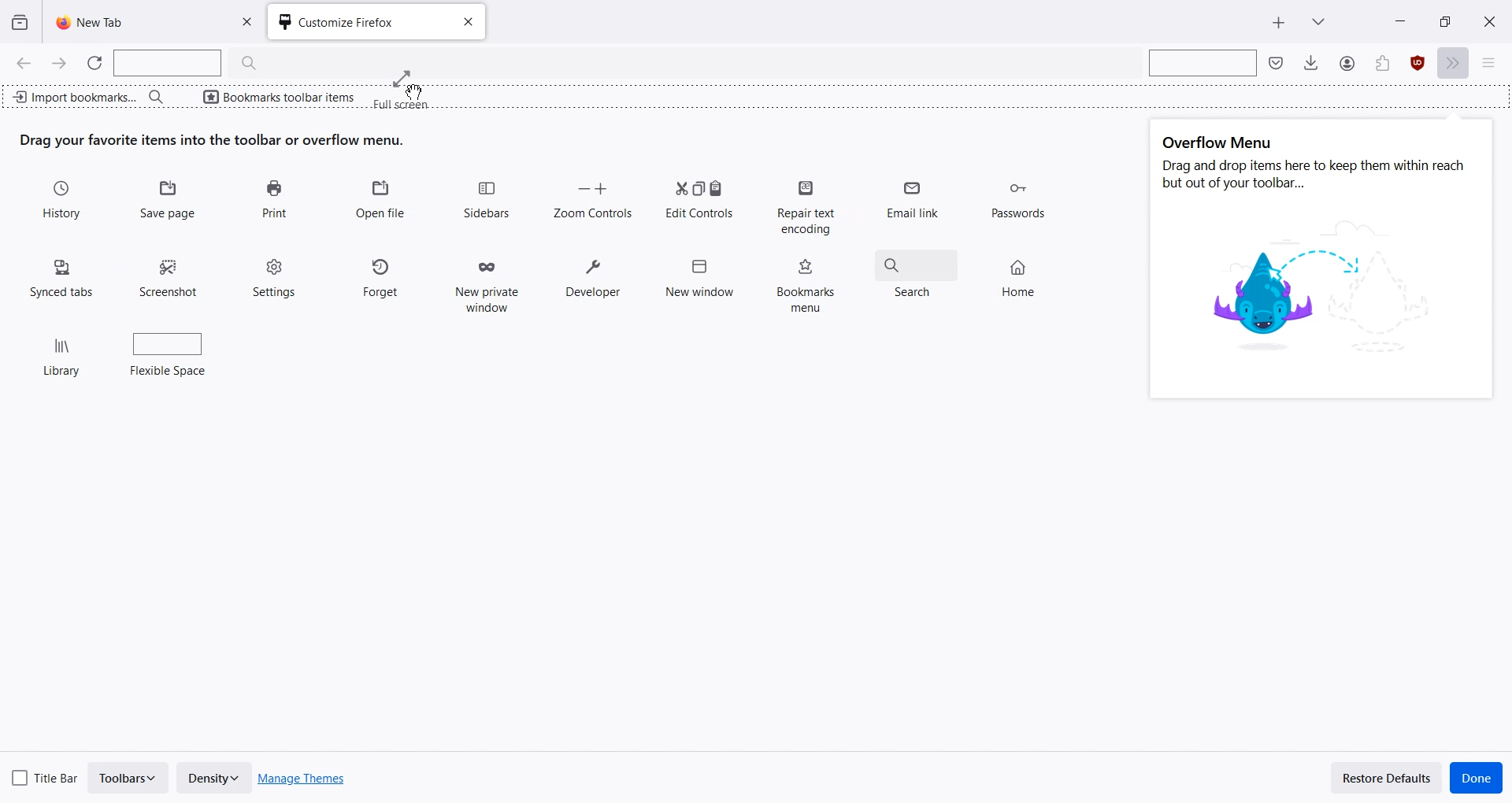  I want to click on Forget, so click(382, 275).